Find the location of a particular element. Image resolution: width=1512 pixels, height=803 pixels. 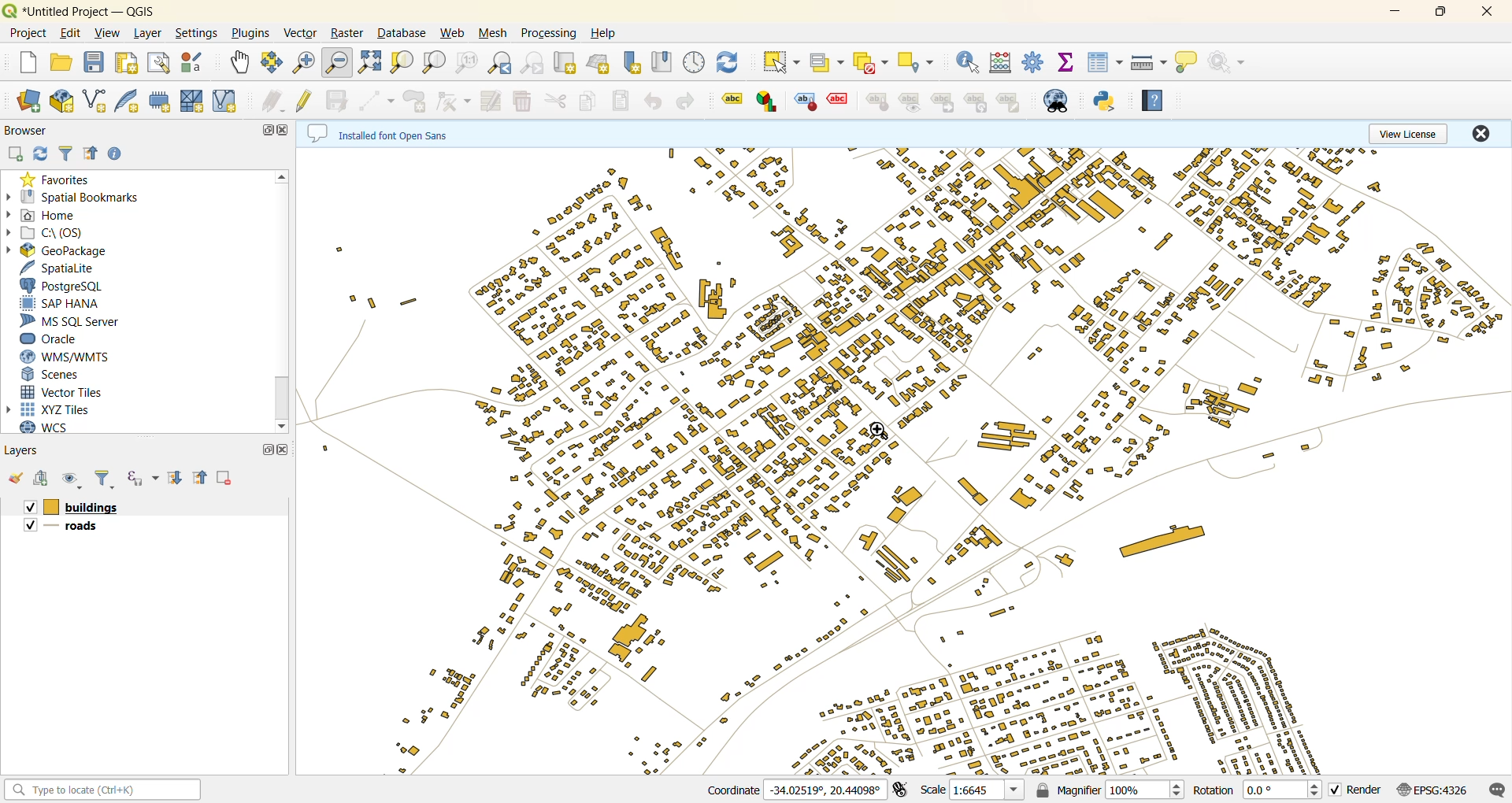

maximize is located at coordinates (1446, 13).